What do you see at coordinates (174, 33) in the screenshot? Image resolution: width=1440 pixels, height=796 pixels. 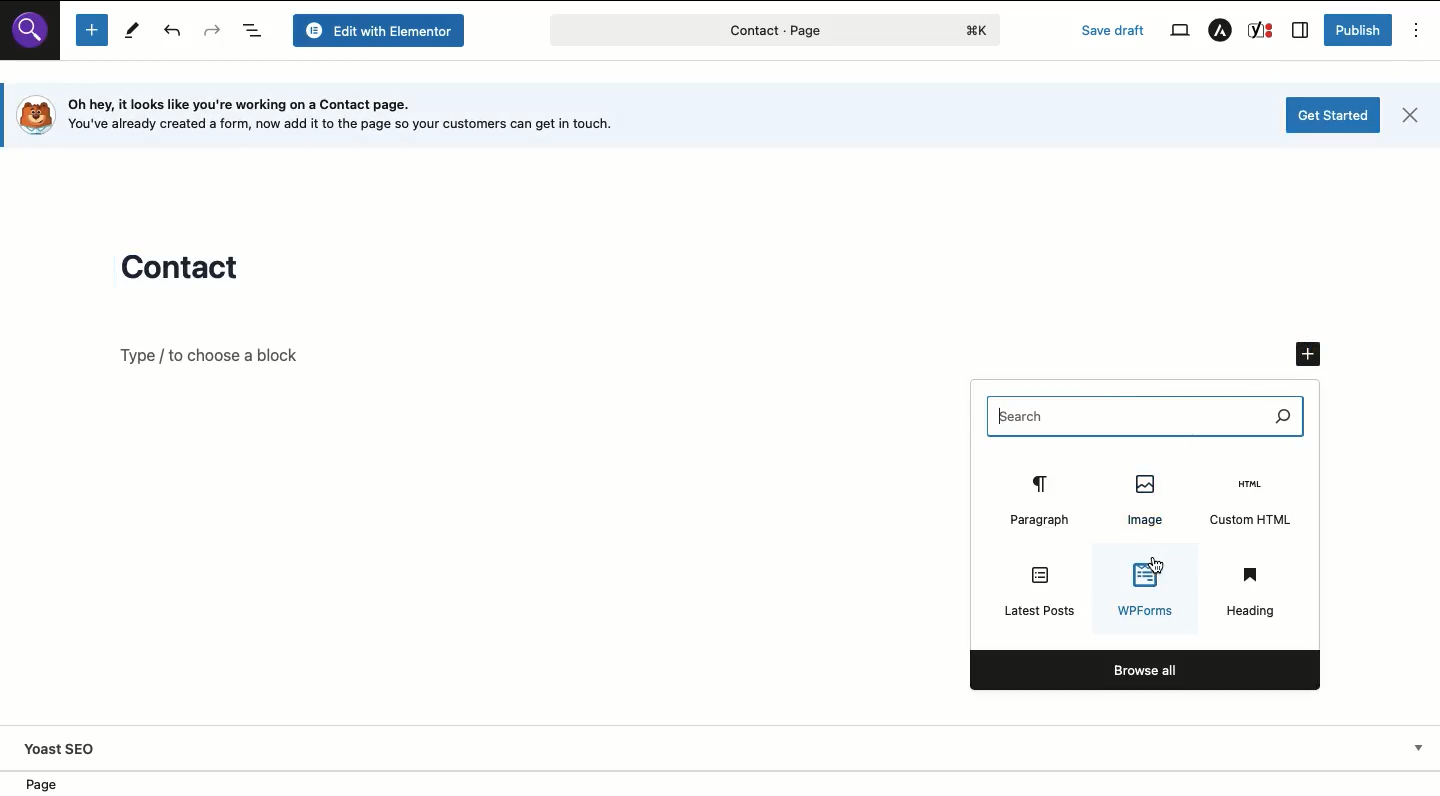 I see `Undo` at bounding box center [174, 33].